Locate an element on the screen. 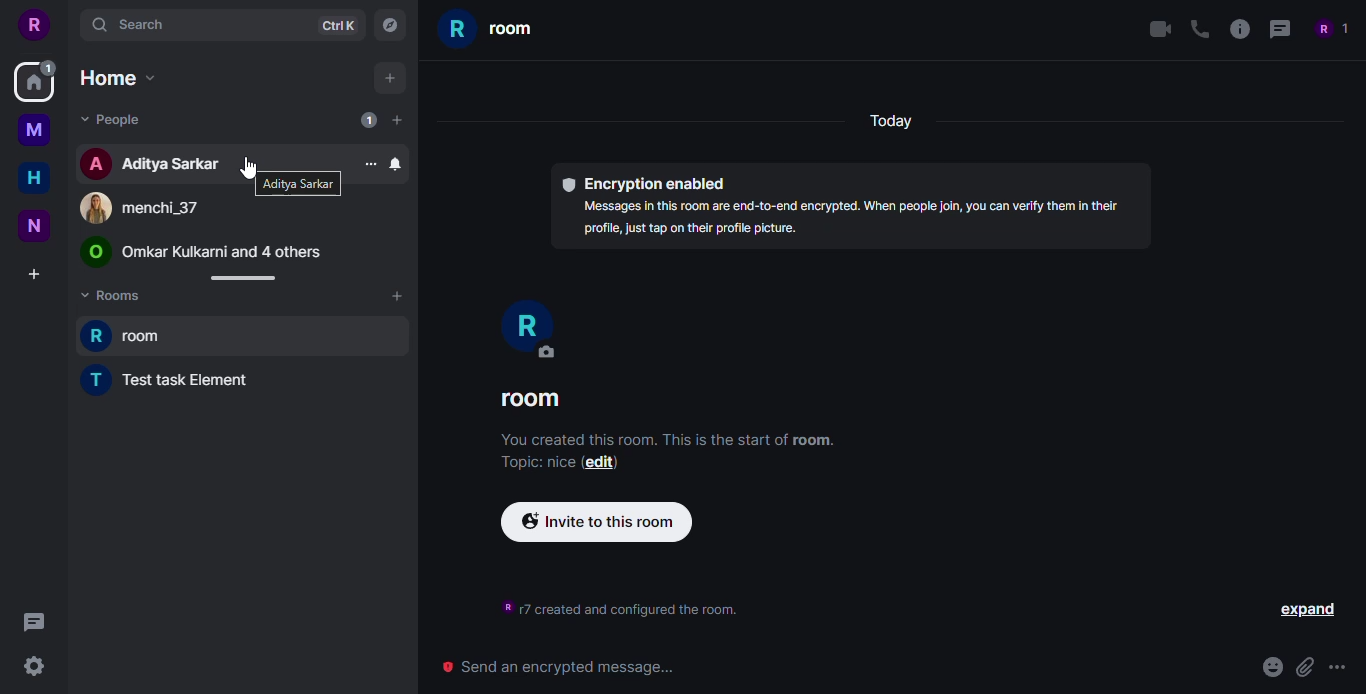 Image resolution: width=1366 pixels, height=694 pixels. room is located at coordinates (129, 334).